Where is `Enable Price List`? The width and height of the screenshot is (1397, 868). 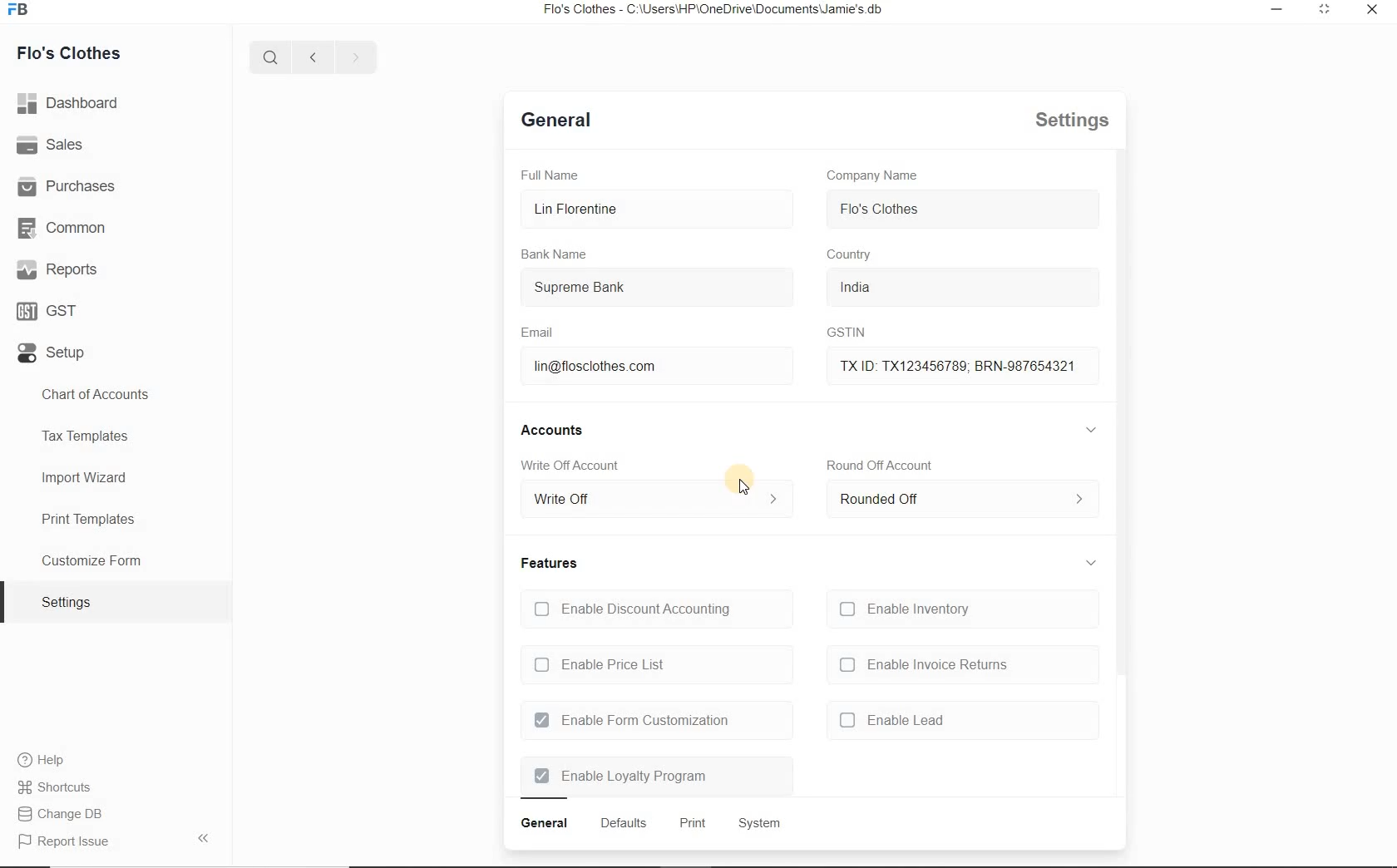 Enable Price List is located at coordinates (603, 666).